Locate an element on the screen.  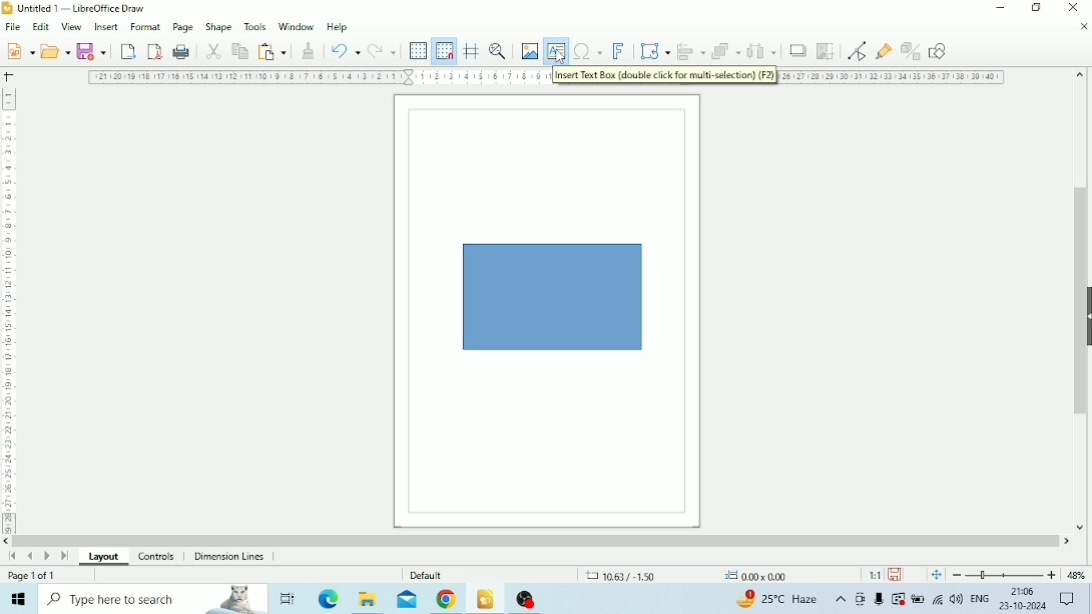
Shape is located at coordinates (218, 26).